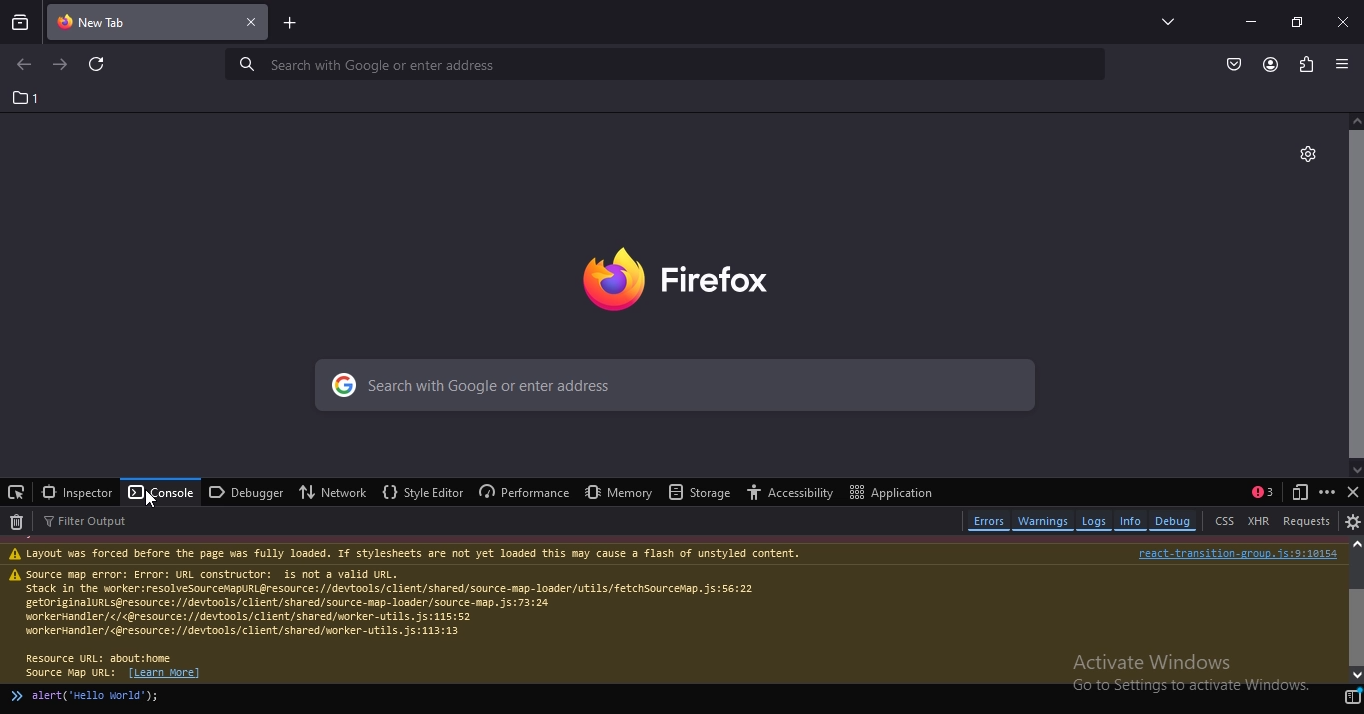  I want to click on cursor, so click(152, 498).